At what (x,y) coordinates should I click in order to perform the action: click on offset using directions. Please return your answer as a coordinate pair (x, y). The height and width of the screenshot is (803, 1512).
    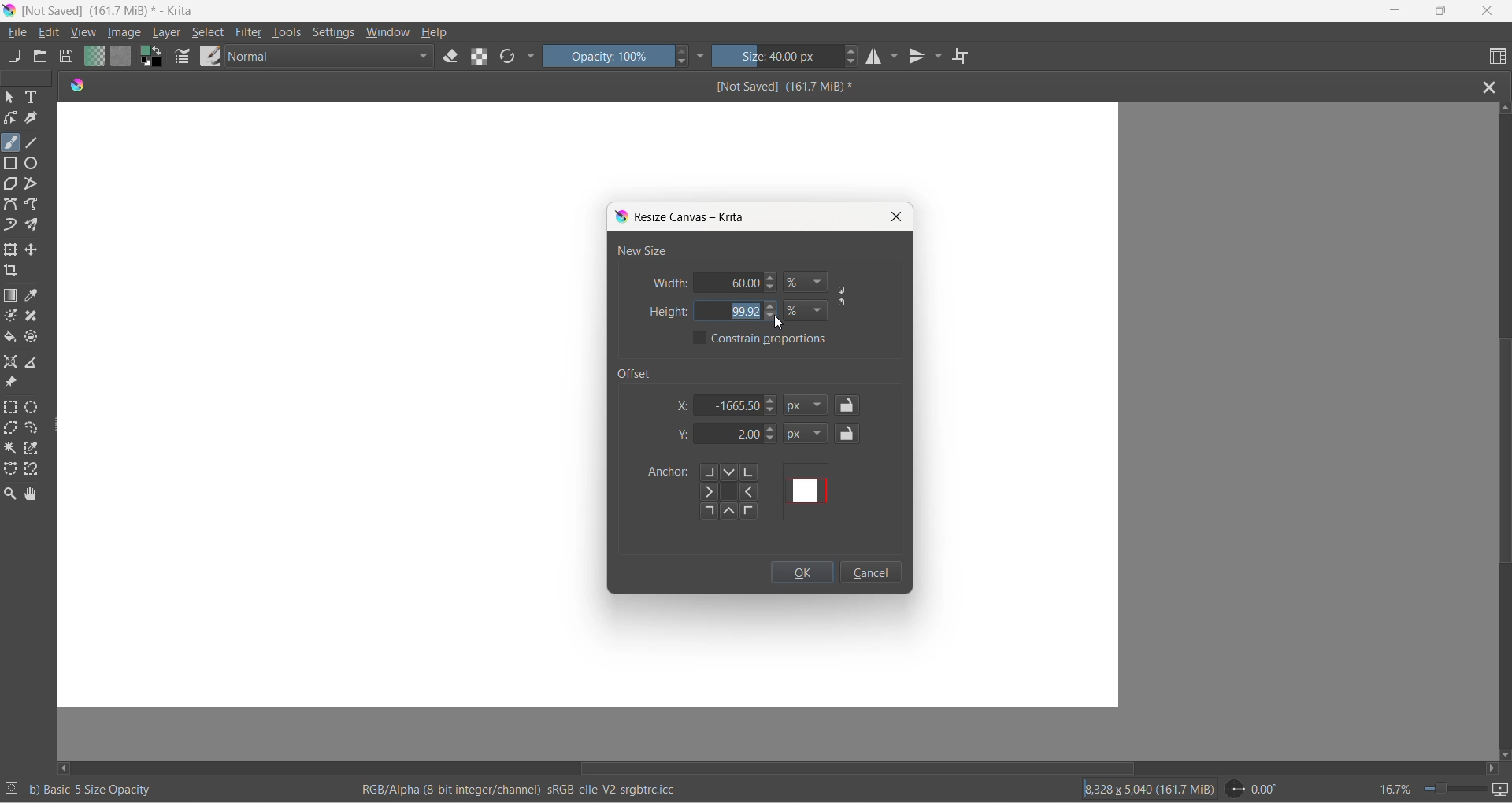
    Looking at the image, I should click on (735, 492).